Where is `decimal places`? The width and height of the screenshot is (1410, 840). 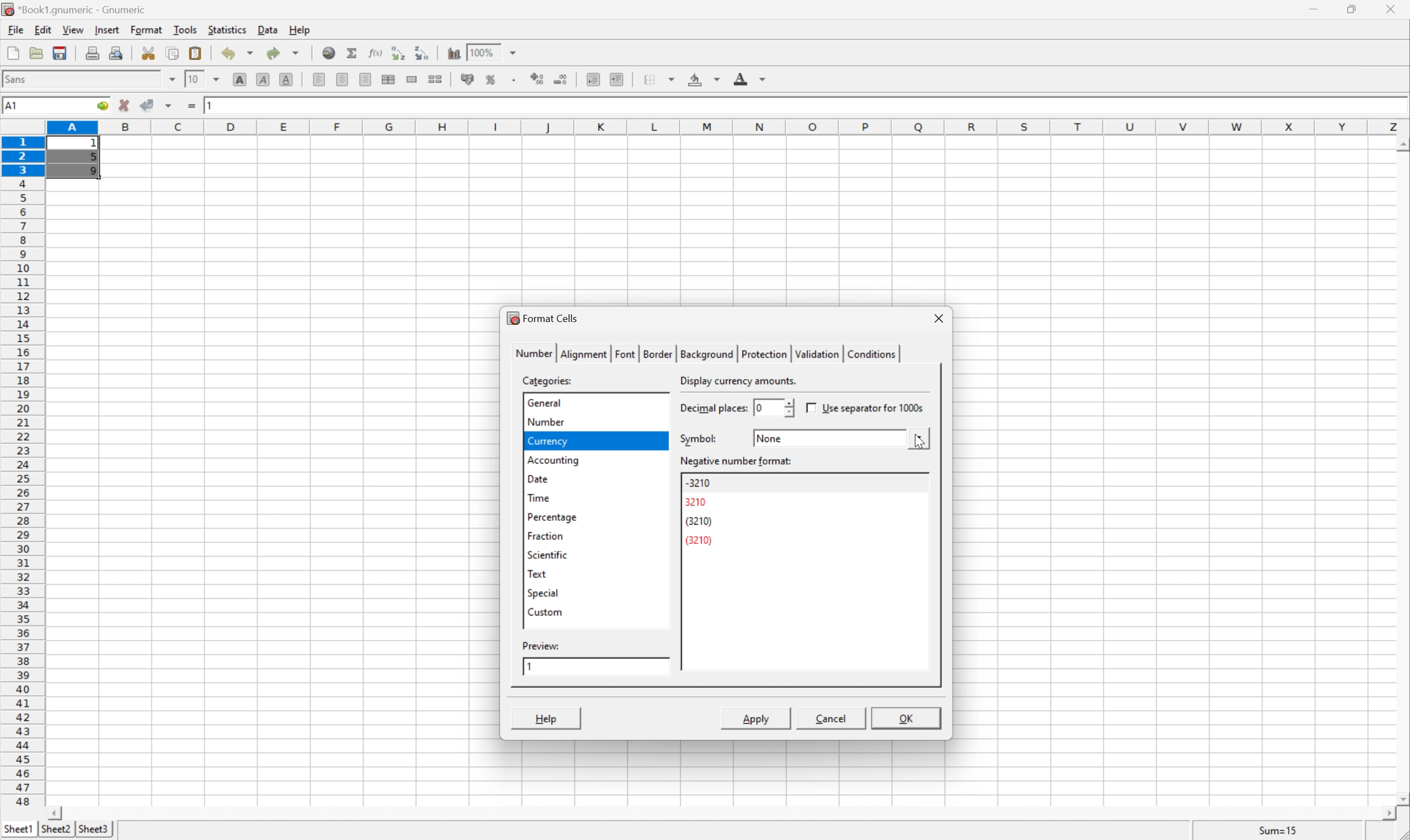 decimal places is located at coordinates (713, 409).